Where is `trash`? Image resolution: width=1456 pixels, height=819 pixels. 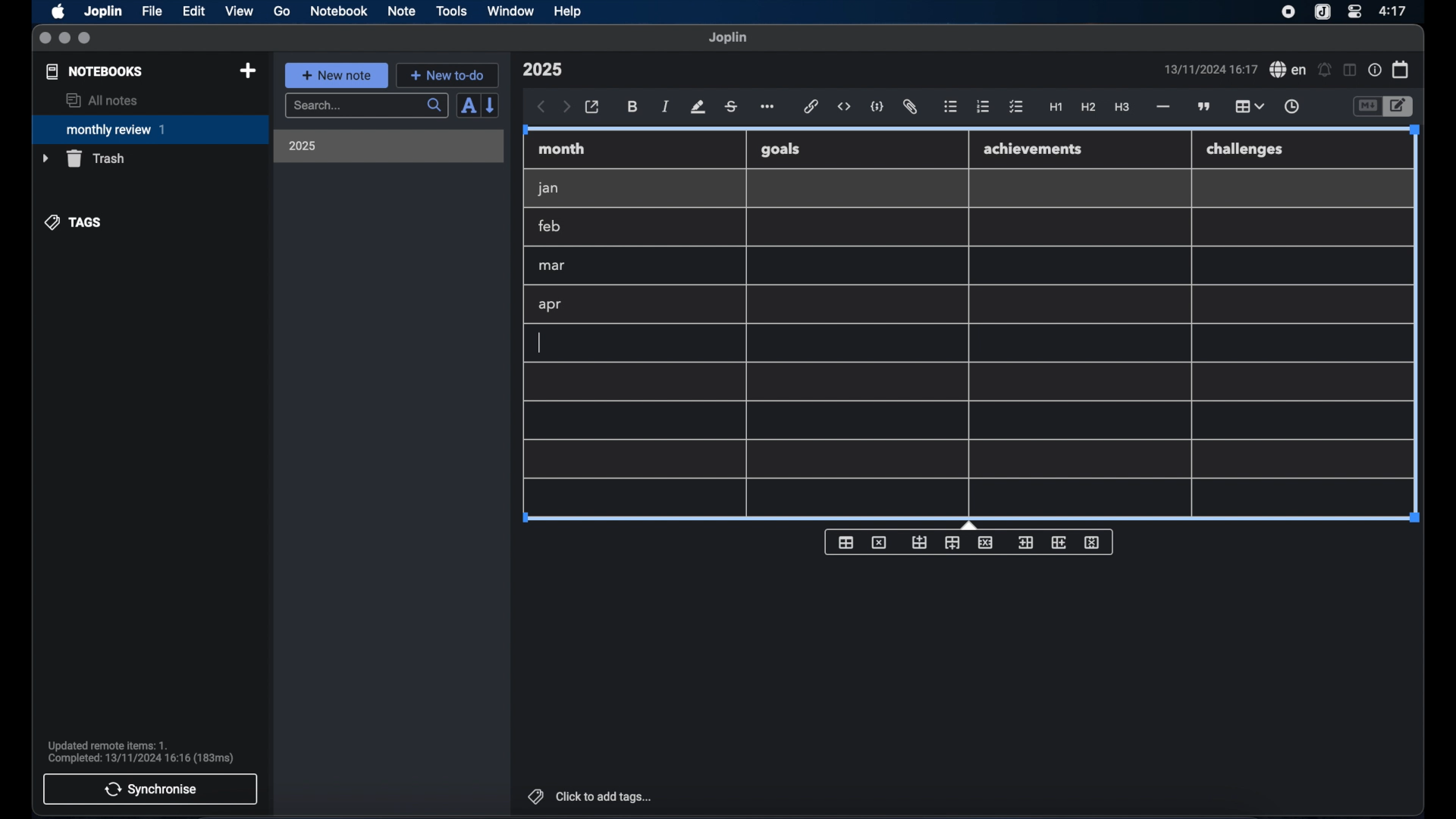 trash is located at coordinates (83, 158).